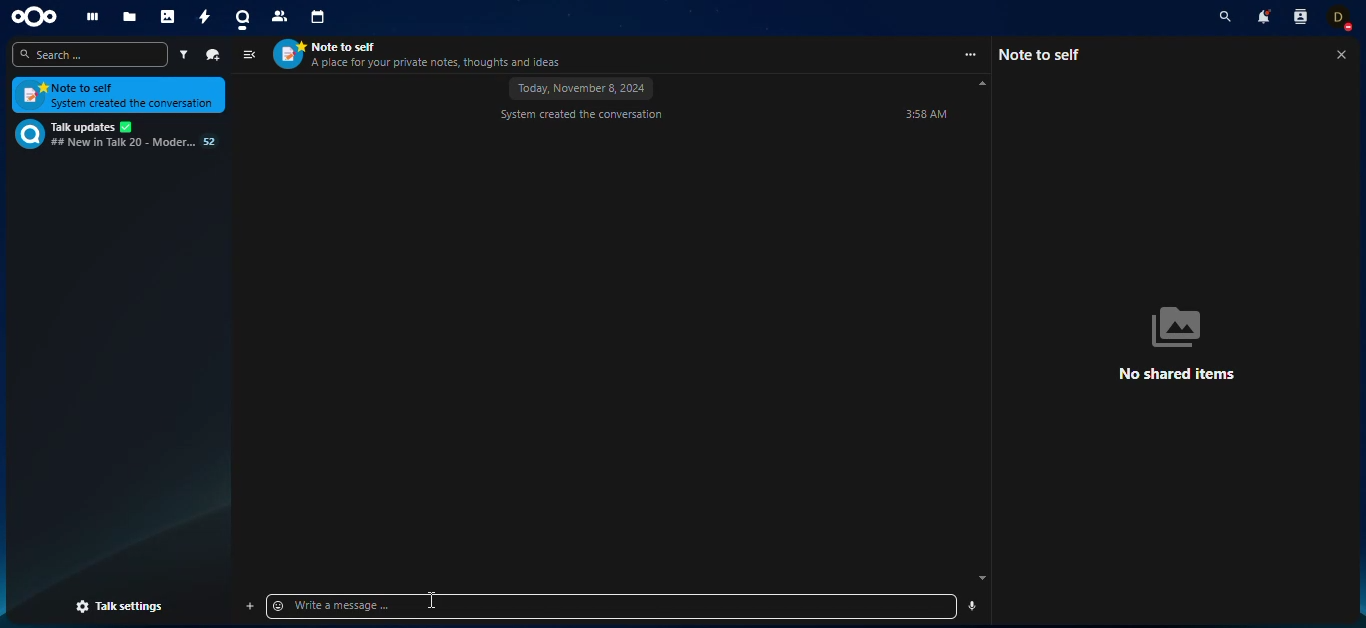  Describe the element at coordinates (120, 607) in the screenshot. I see `talk settings` at that location.